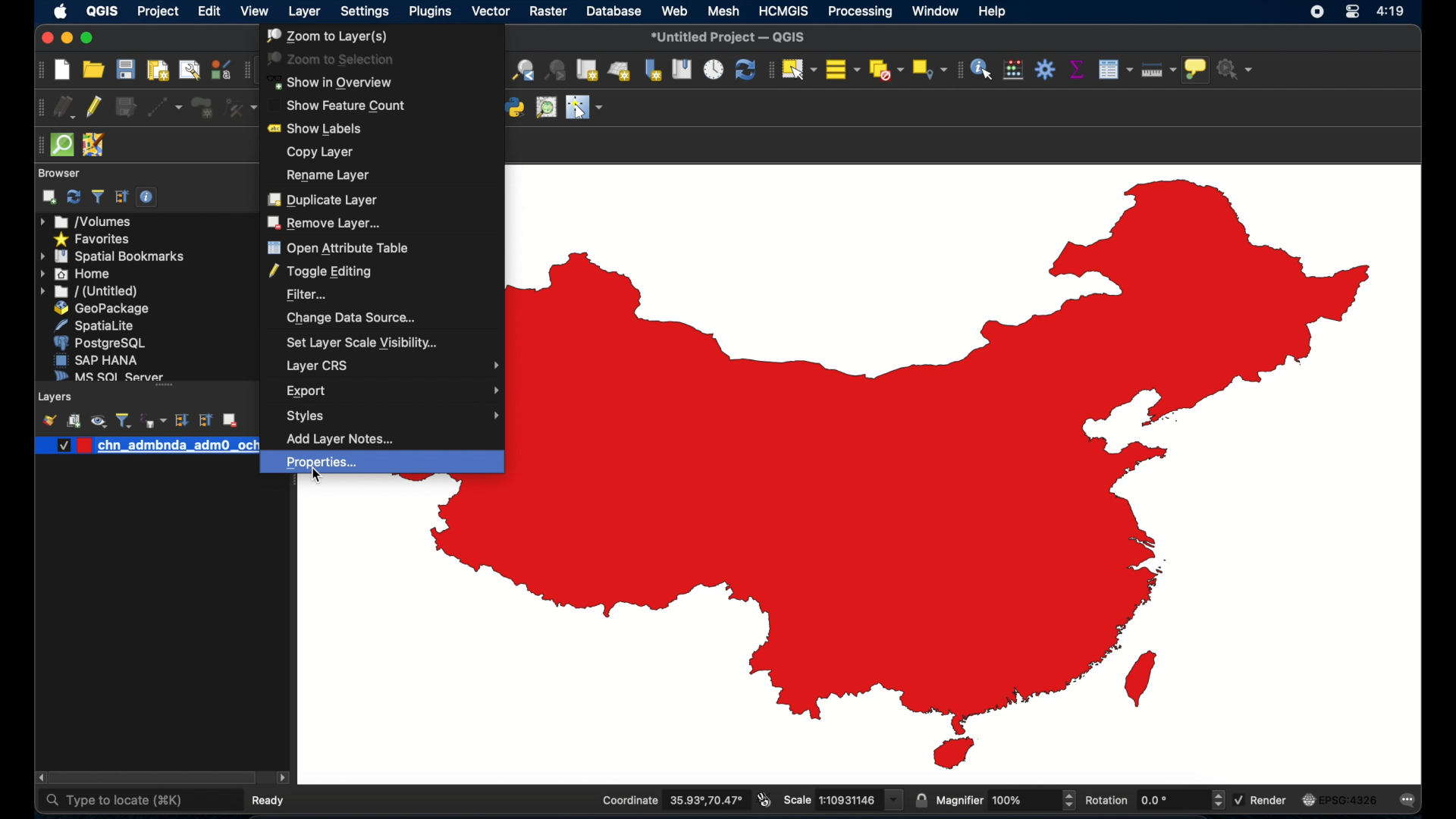 This screenshot has height=819, width=1456. I want to click on EPSG:4326, so click(1340, 799).